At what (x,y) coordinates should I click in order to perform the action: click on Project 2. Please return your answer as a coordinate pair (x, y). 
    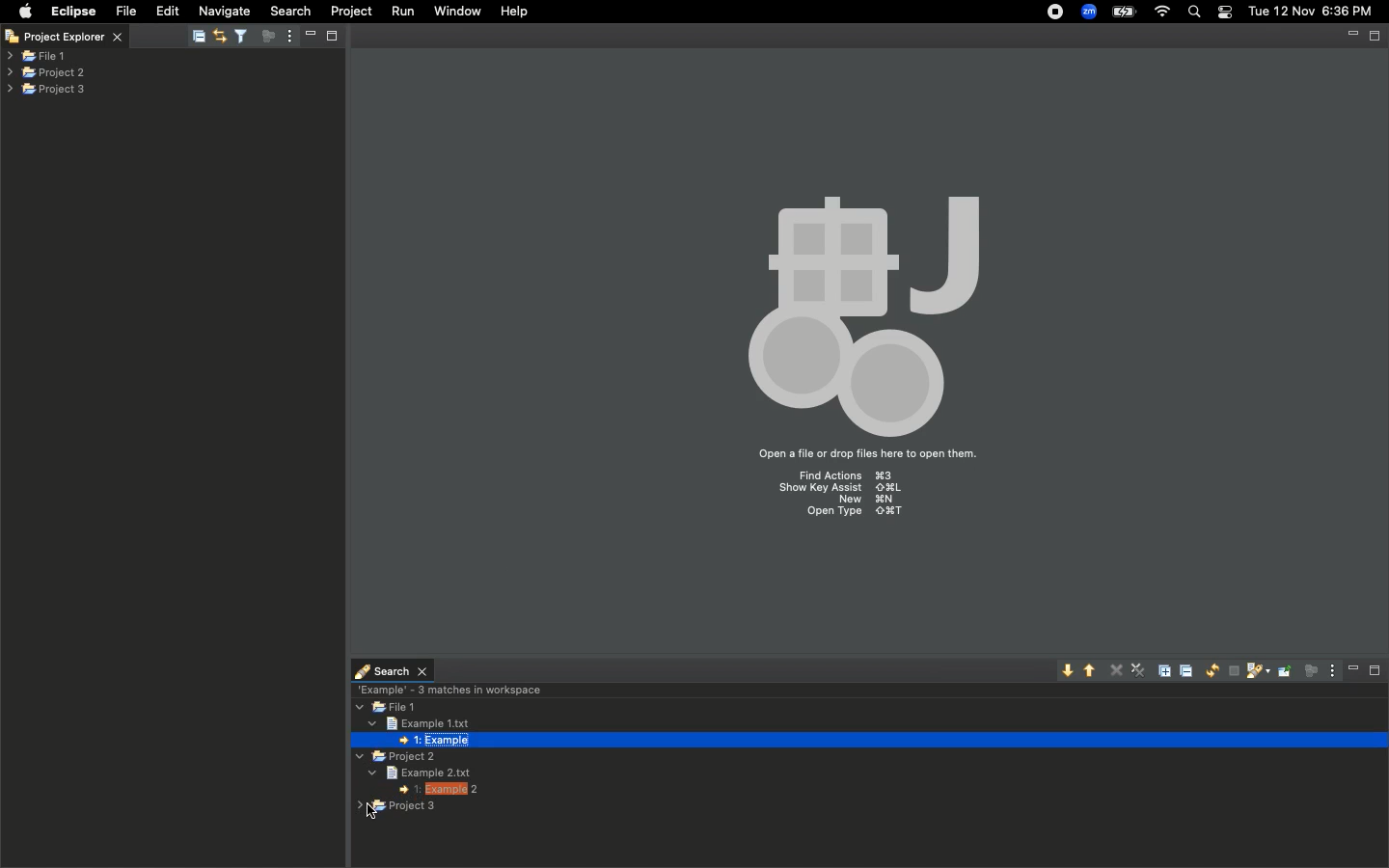
    Looking at the image, I should click on (393, 758).